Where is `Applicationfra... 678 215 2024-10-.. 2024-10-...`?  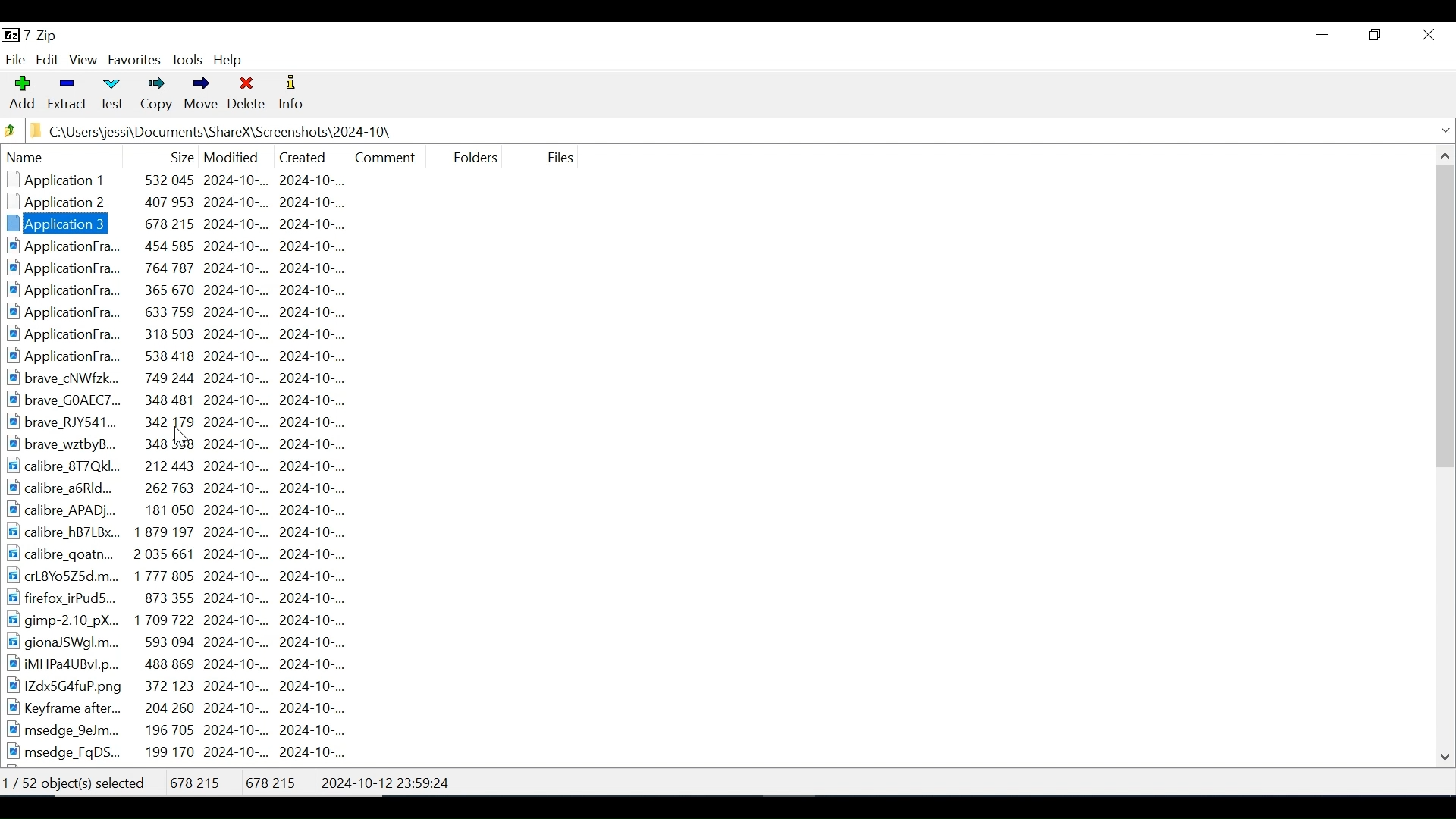
Applicationfra... 678 215 2024-10-.. 2024-10-... is located at coordinates (194, 224).